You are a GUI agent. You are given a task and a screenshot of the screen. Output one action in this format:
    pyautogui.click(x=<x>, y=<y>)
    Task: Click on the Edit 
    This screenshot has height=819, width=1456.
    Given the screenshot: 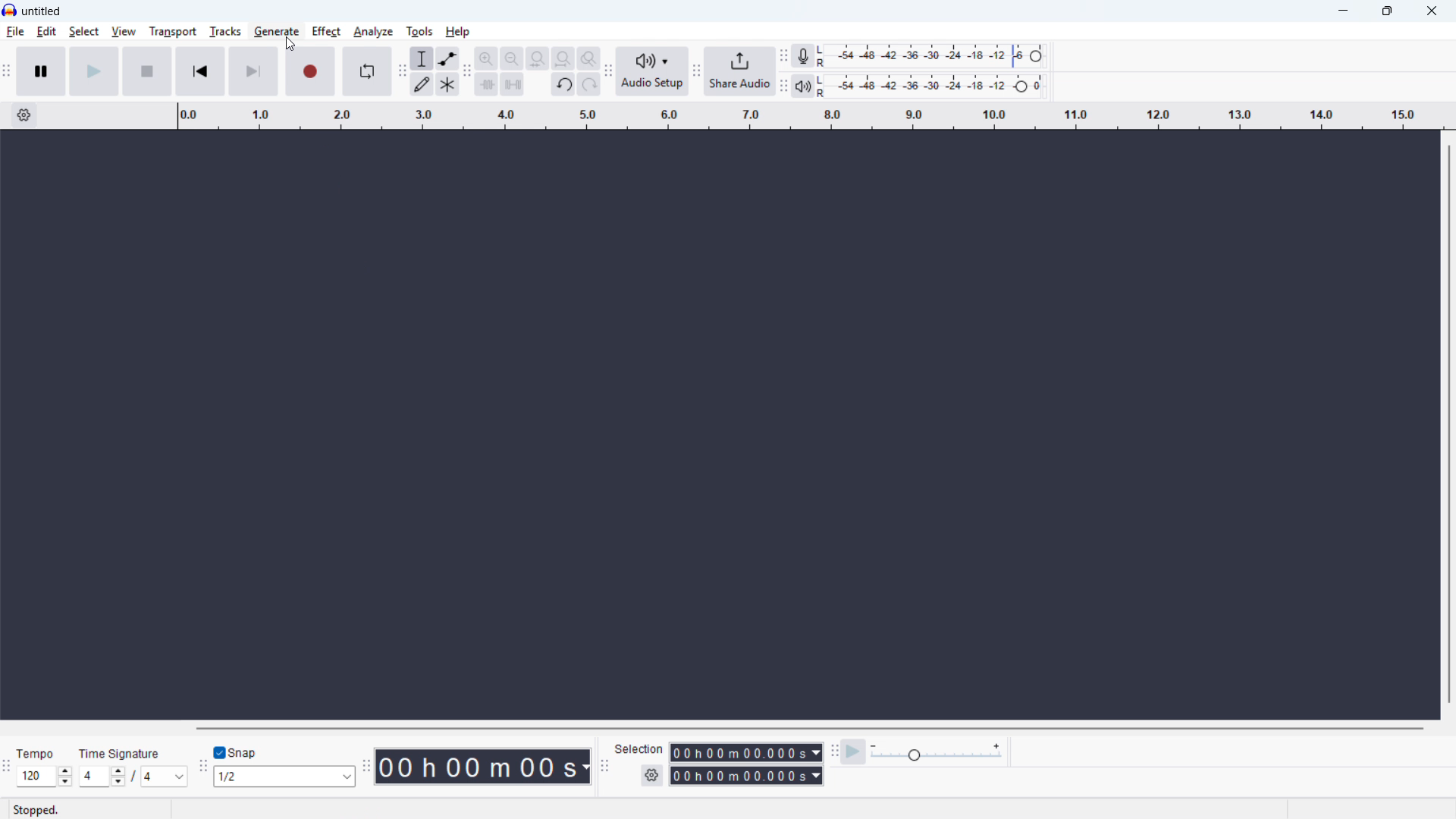 What is the action you would take?
    pyautogui.click(x=47, y=32)
    